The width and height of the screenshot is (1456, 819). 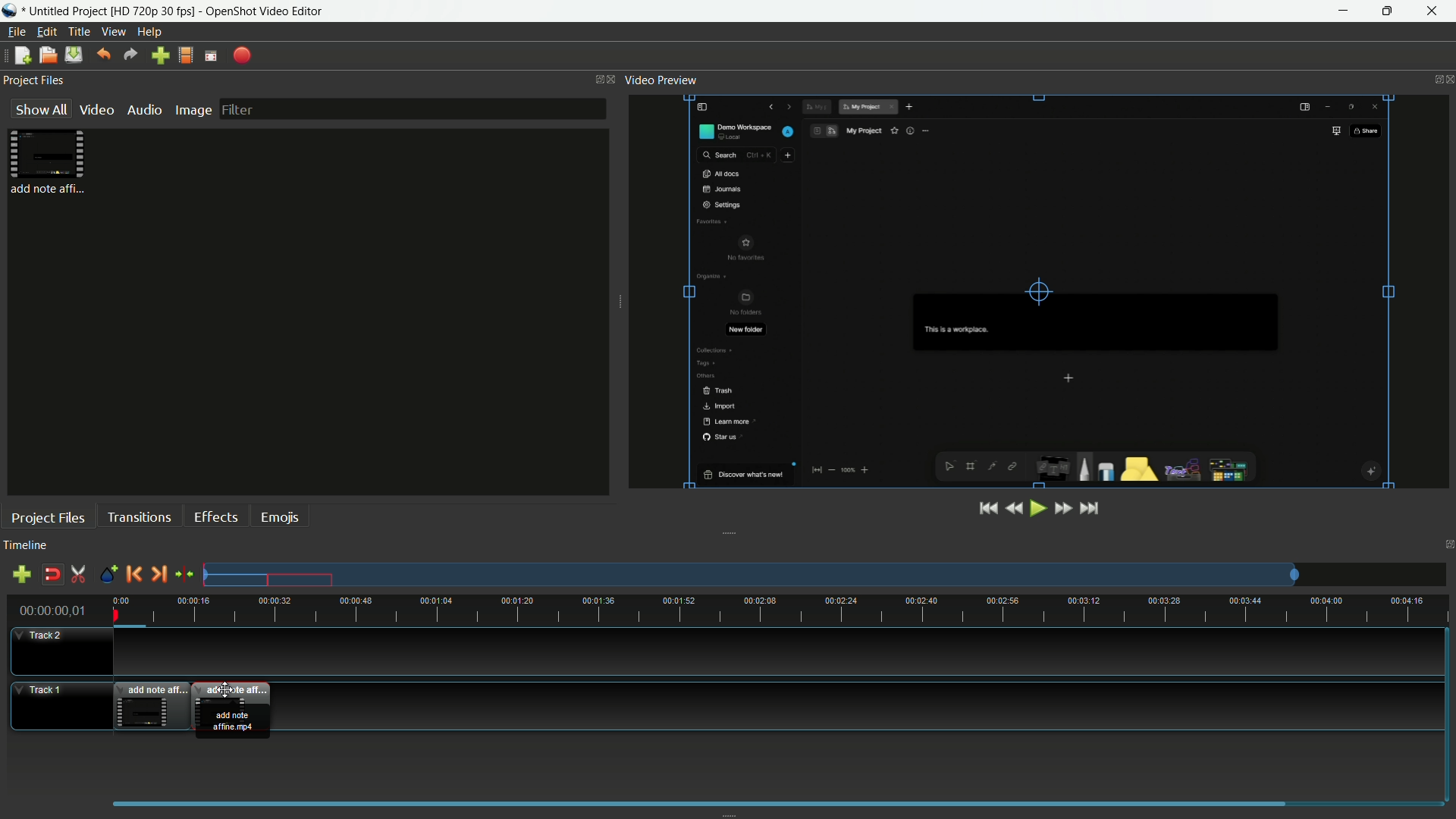 I want to click on next marker, so click(x=157, y=573).